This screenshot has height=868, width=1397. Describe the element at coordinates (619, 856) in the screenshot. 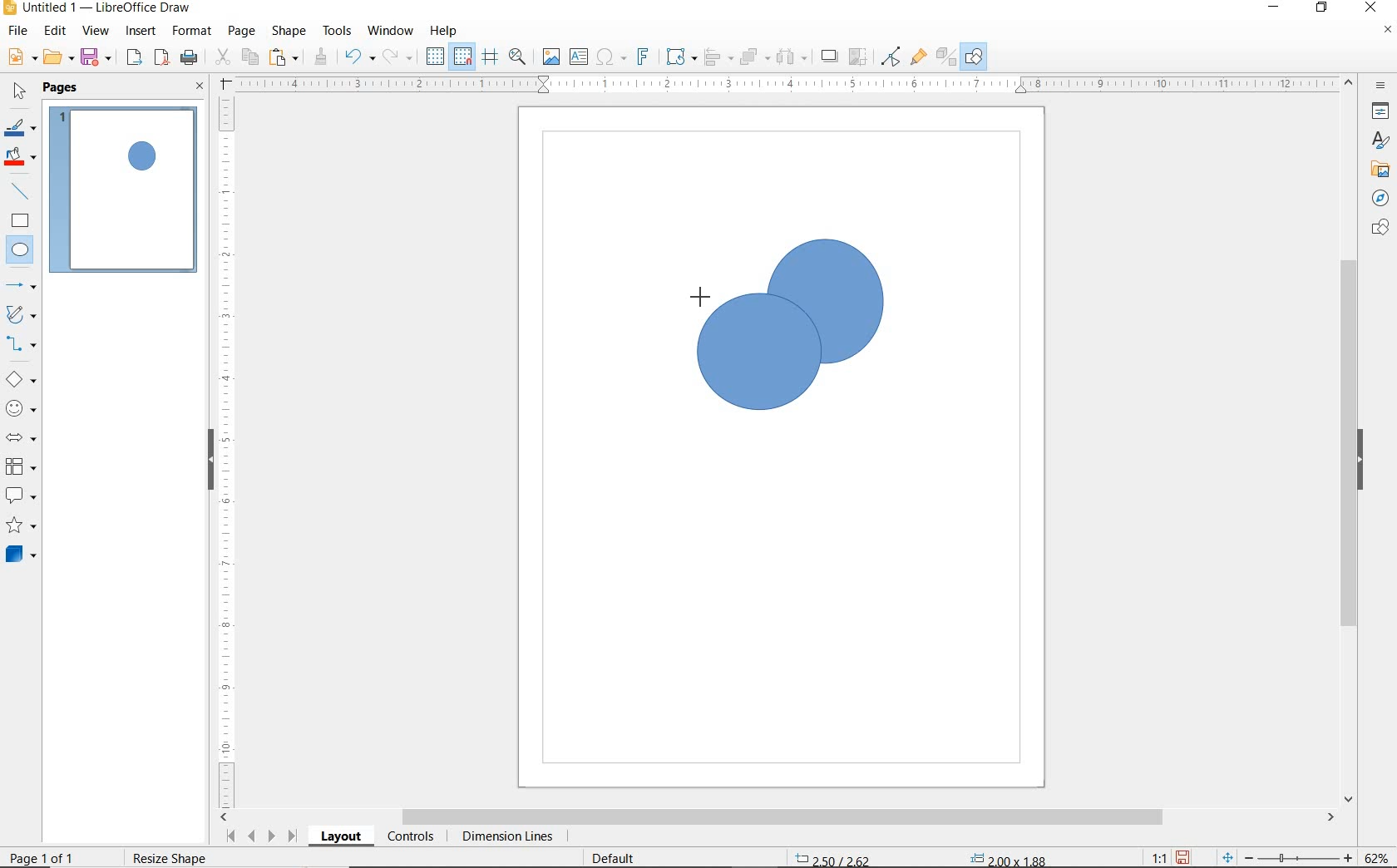

I see `DEFAULT` at that location.